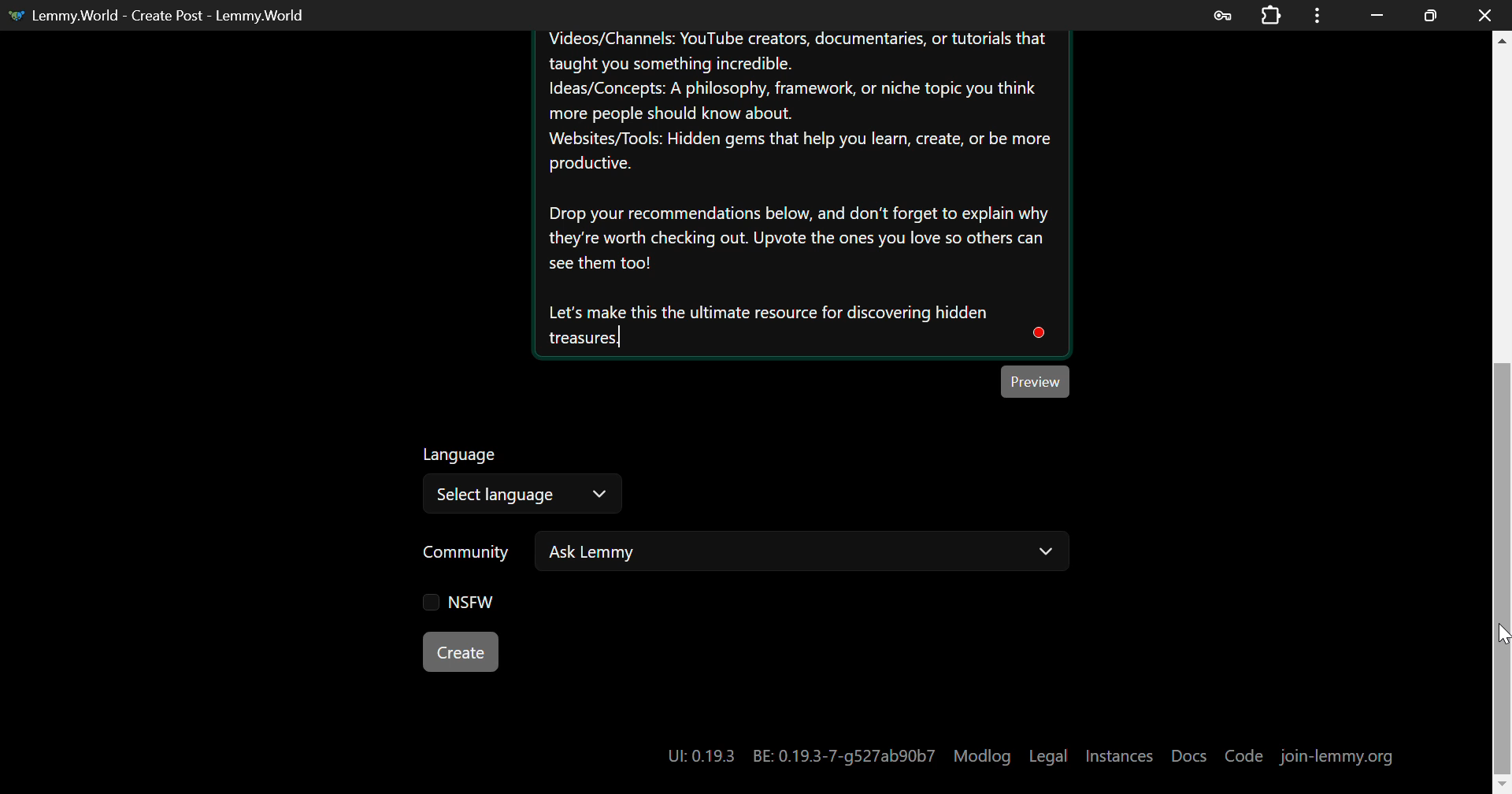 The height and width of the screenshot is (794, 1512). I want to click on Extensions, so click(1271, 13).